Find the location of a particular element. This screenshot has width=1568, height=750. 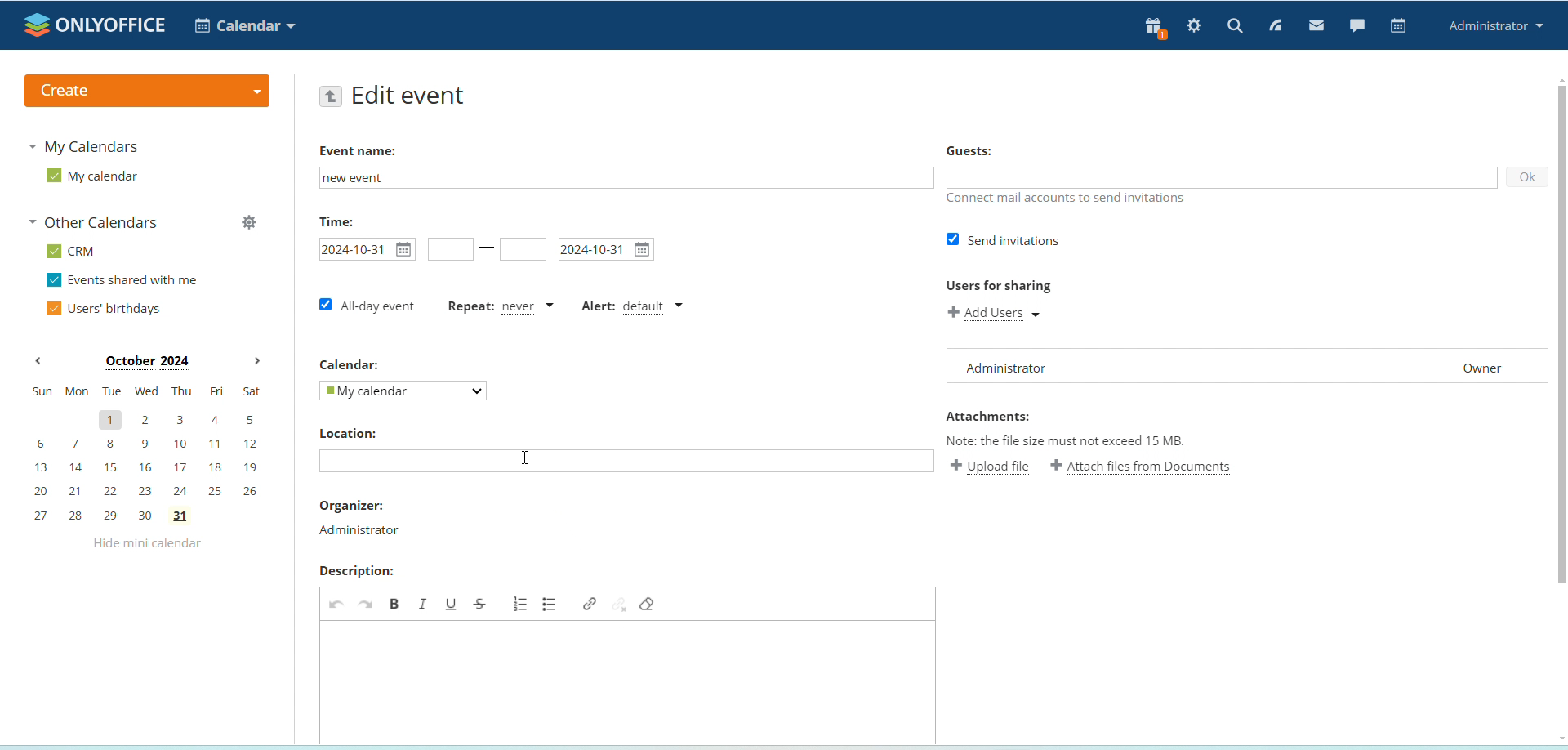

line is located at coordinates (488, 248).